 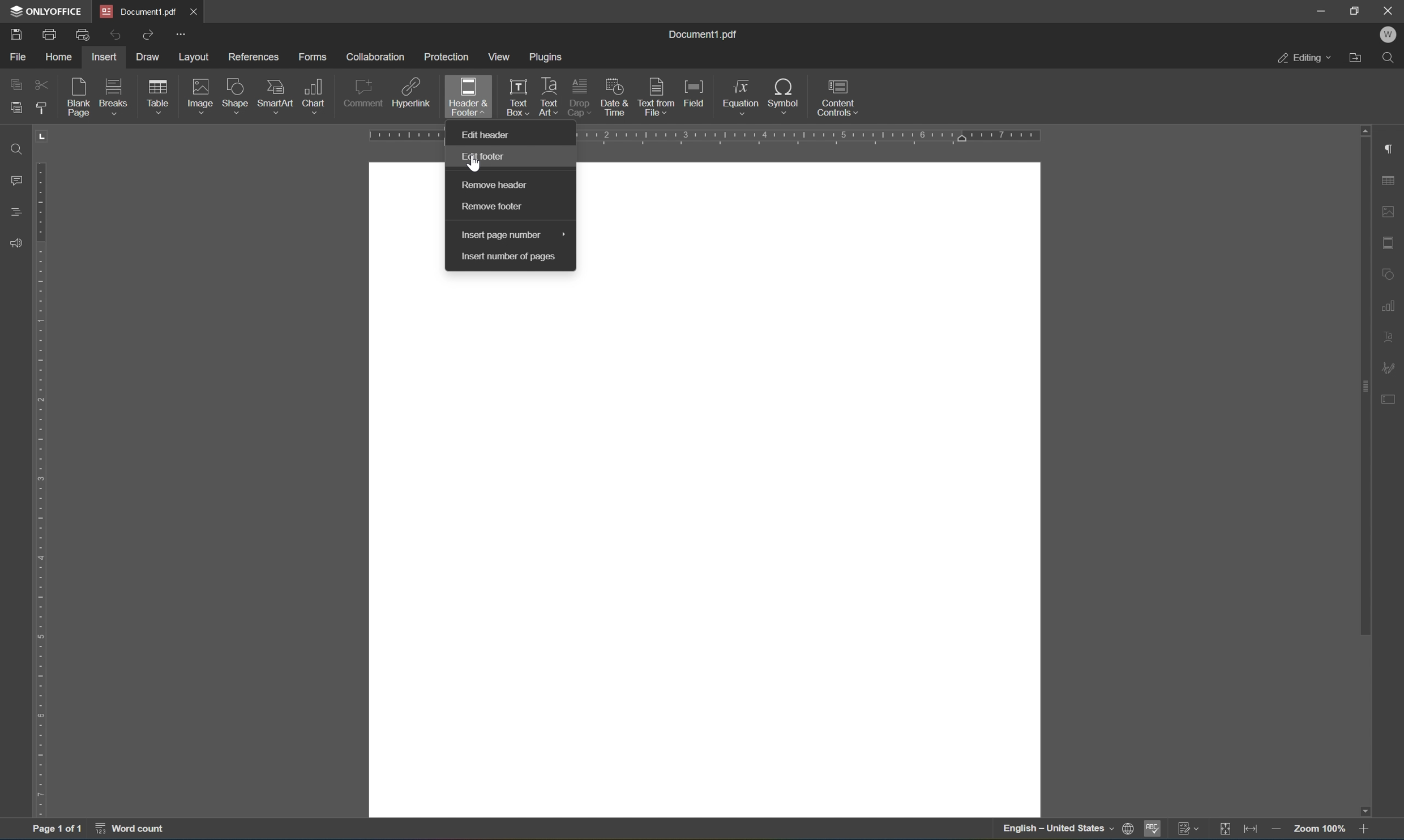 I want to click on symbol, so click(x=784, y=95).